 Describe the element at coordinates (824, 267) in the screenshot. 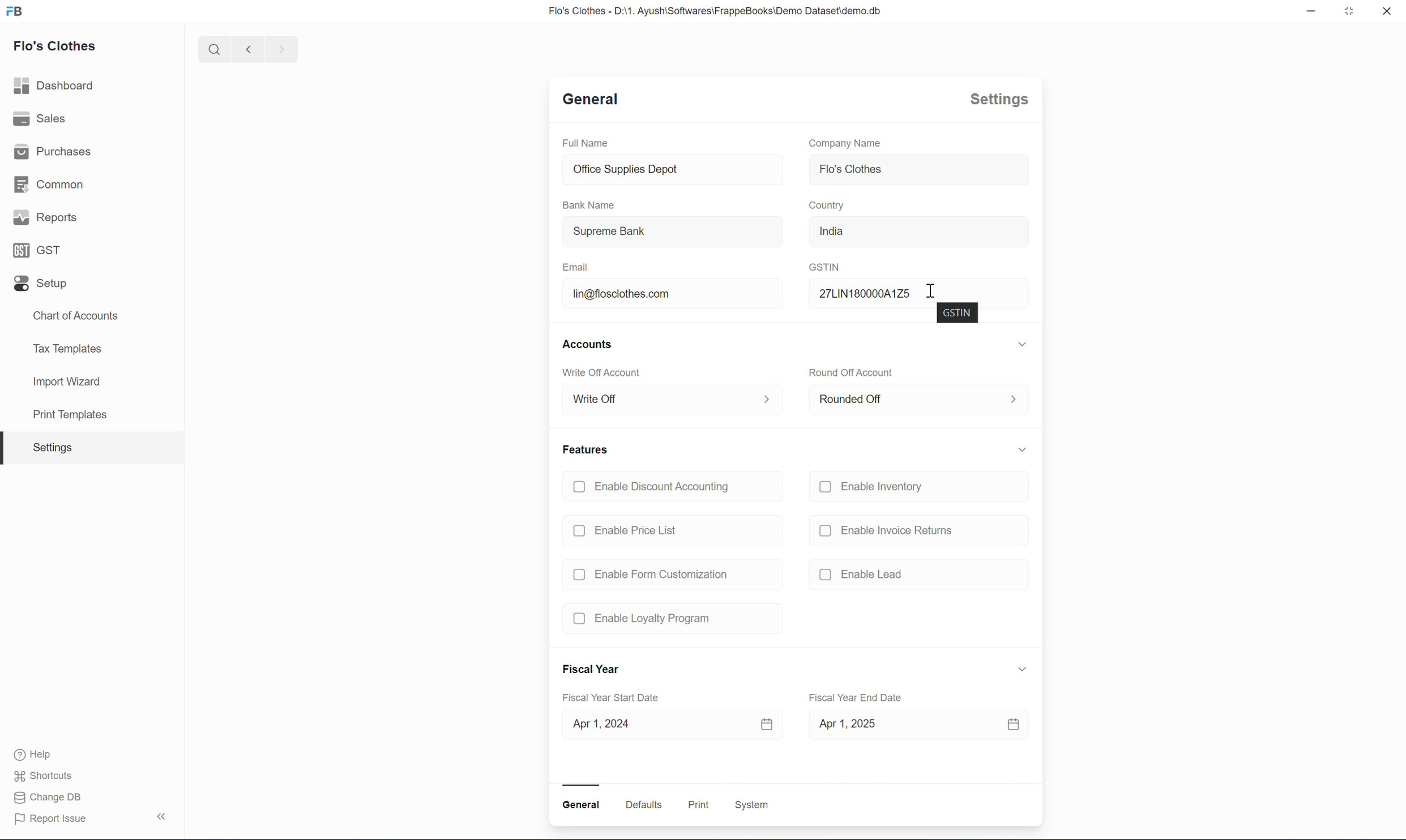

I see `GSTIN` at that location.